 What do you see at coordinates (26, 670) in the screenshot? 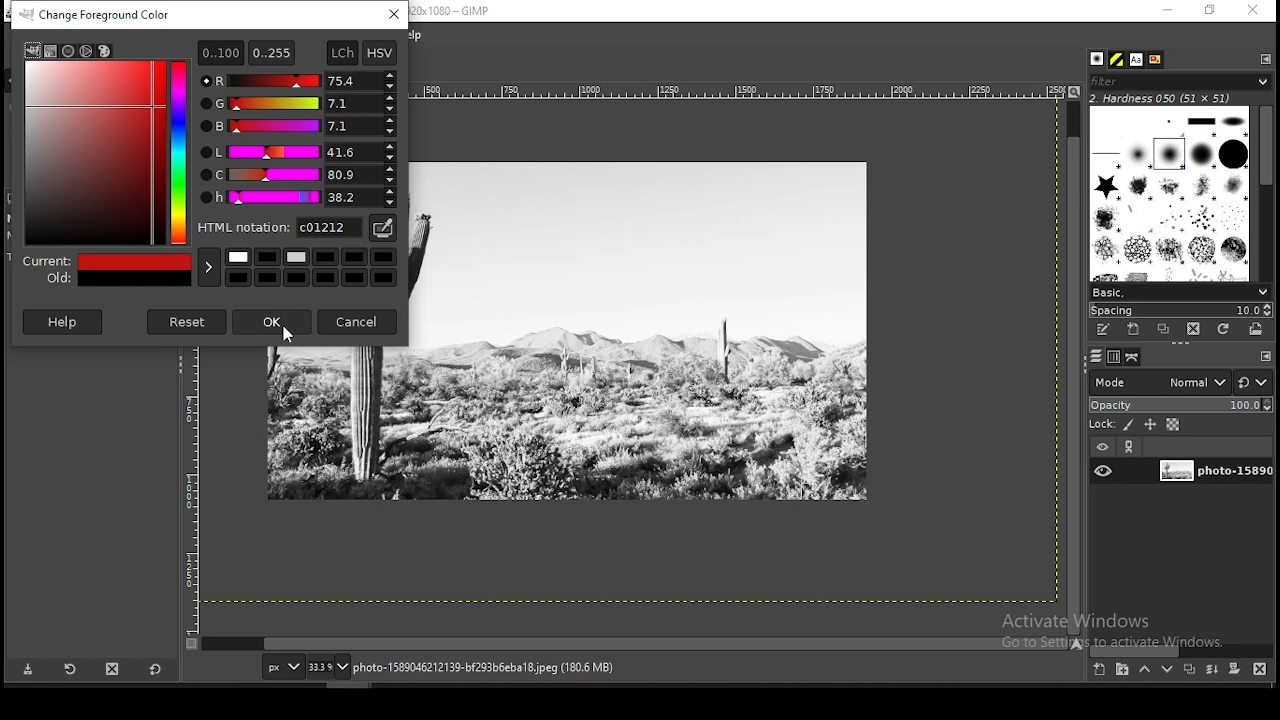
I see `save tool preset` at bounding box center [26, 670].